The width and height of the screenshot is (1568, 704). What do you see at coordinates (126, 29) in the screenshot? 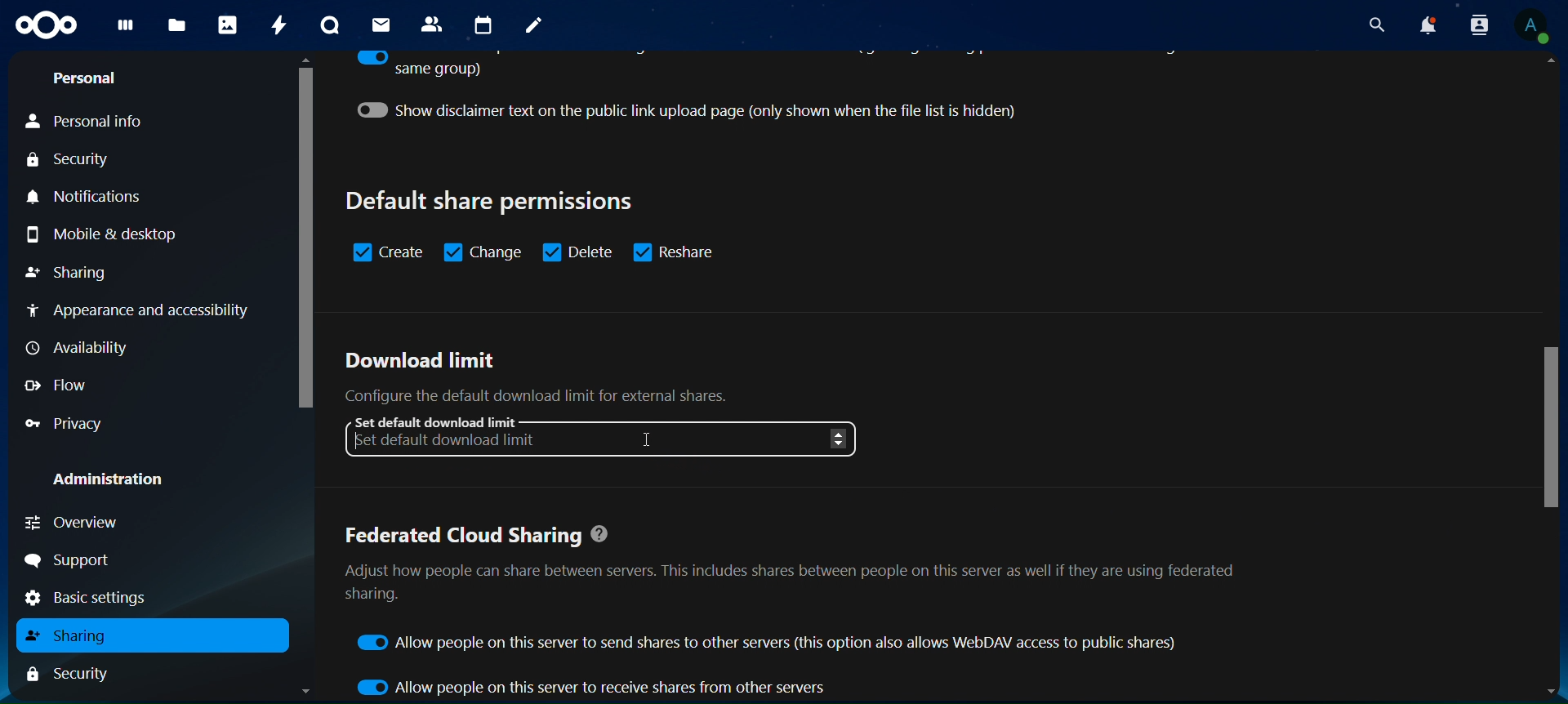
I see `dashboard` at bounding box center [126, 29].